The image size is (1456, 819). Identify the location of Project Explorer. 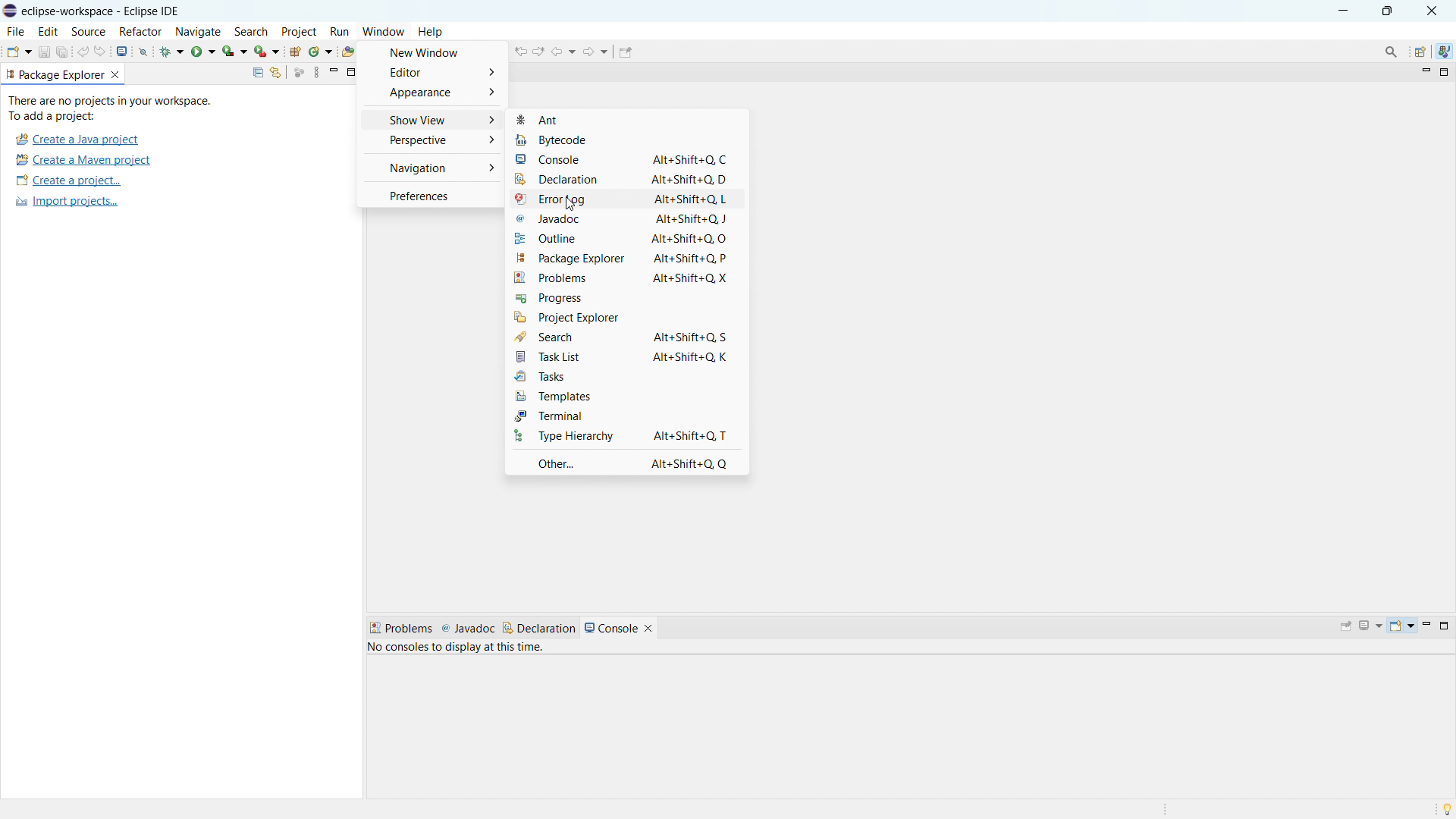
(616, 317).